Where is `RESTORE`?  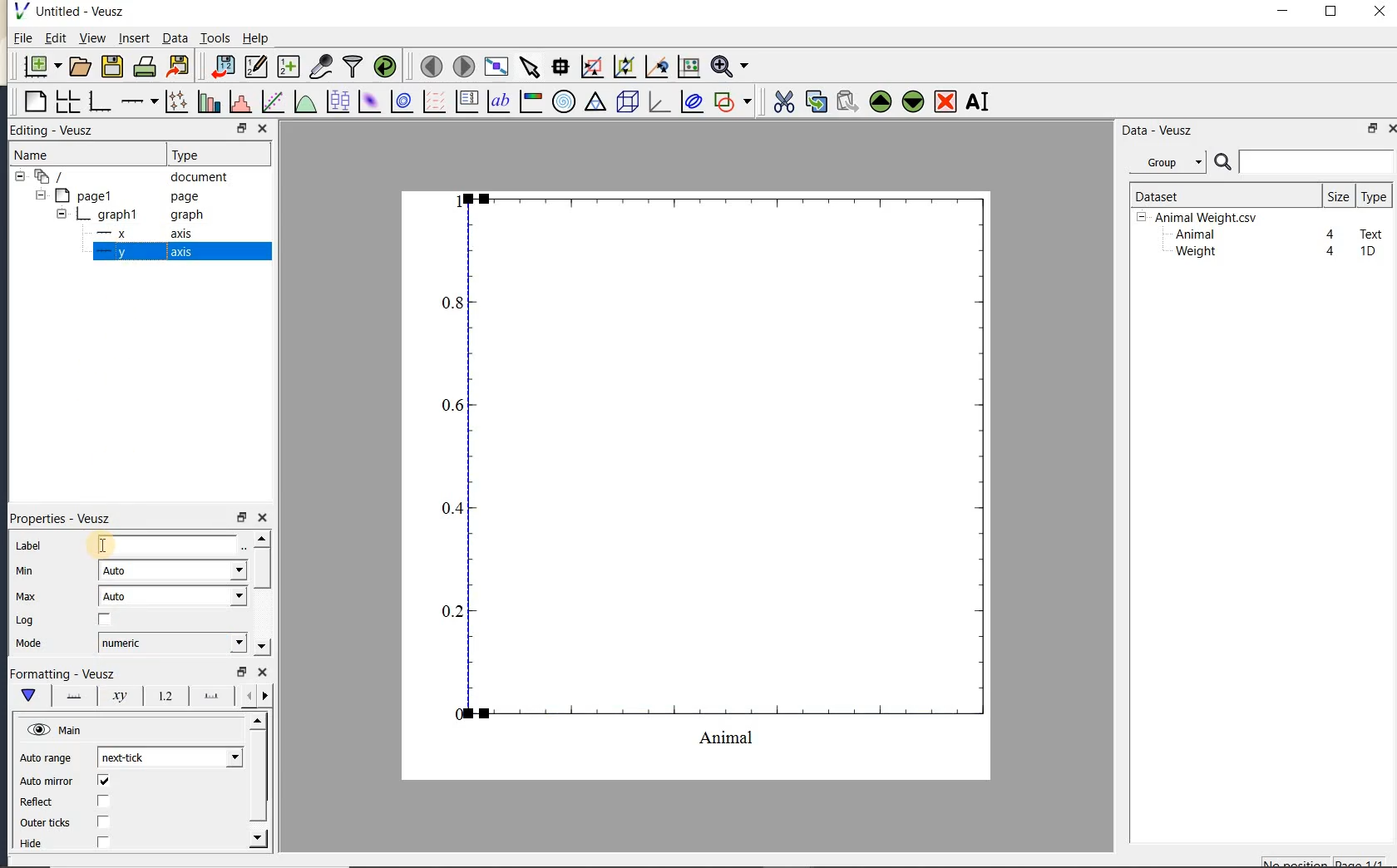 RESTORE is located at coordinates (239, 126).